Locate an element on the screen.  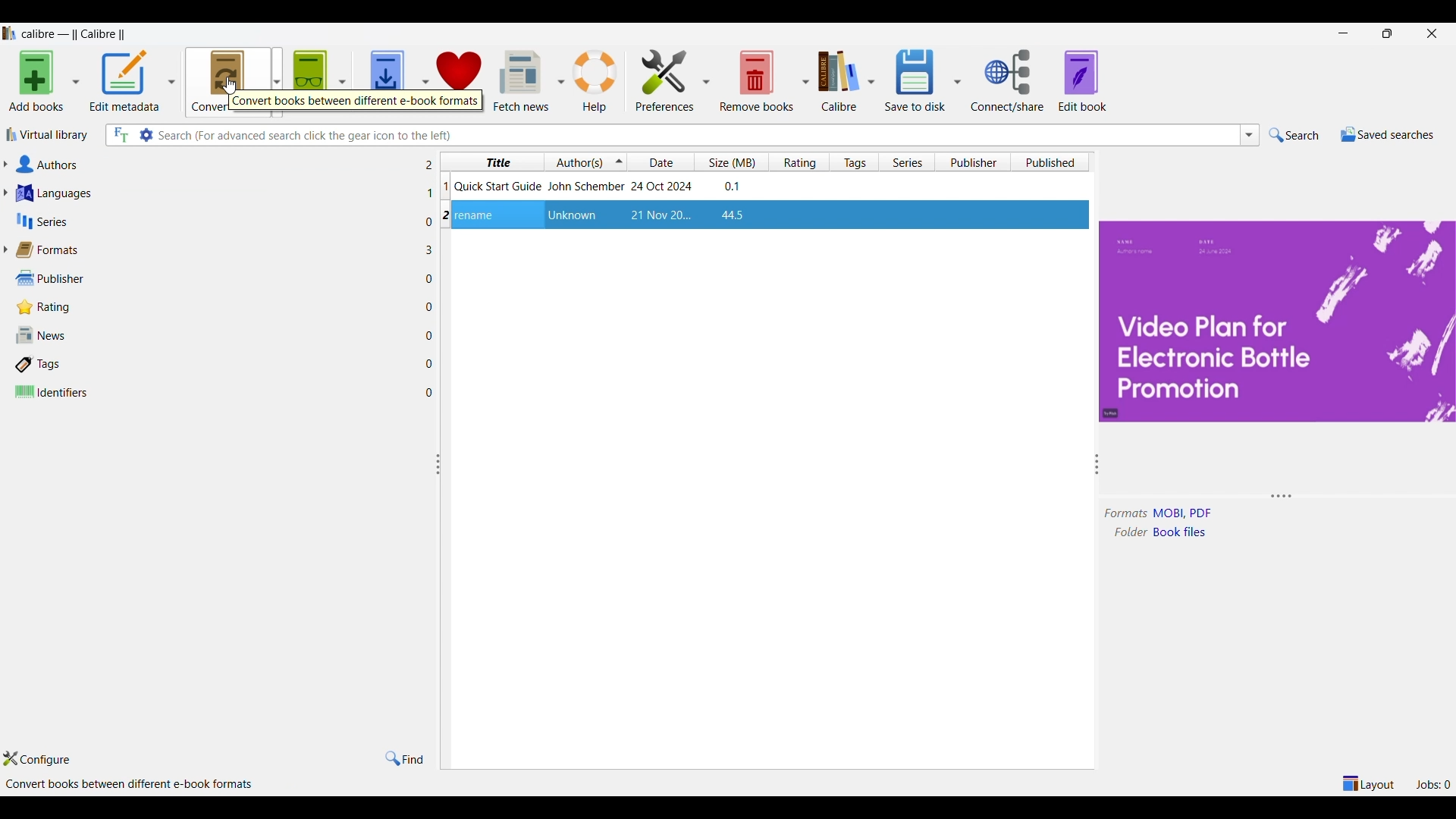
Expand formats is located at coordinates (5, 249).